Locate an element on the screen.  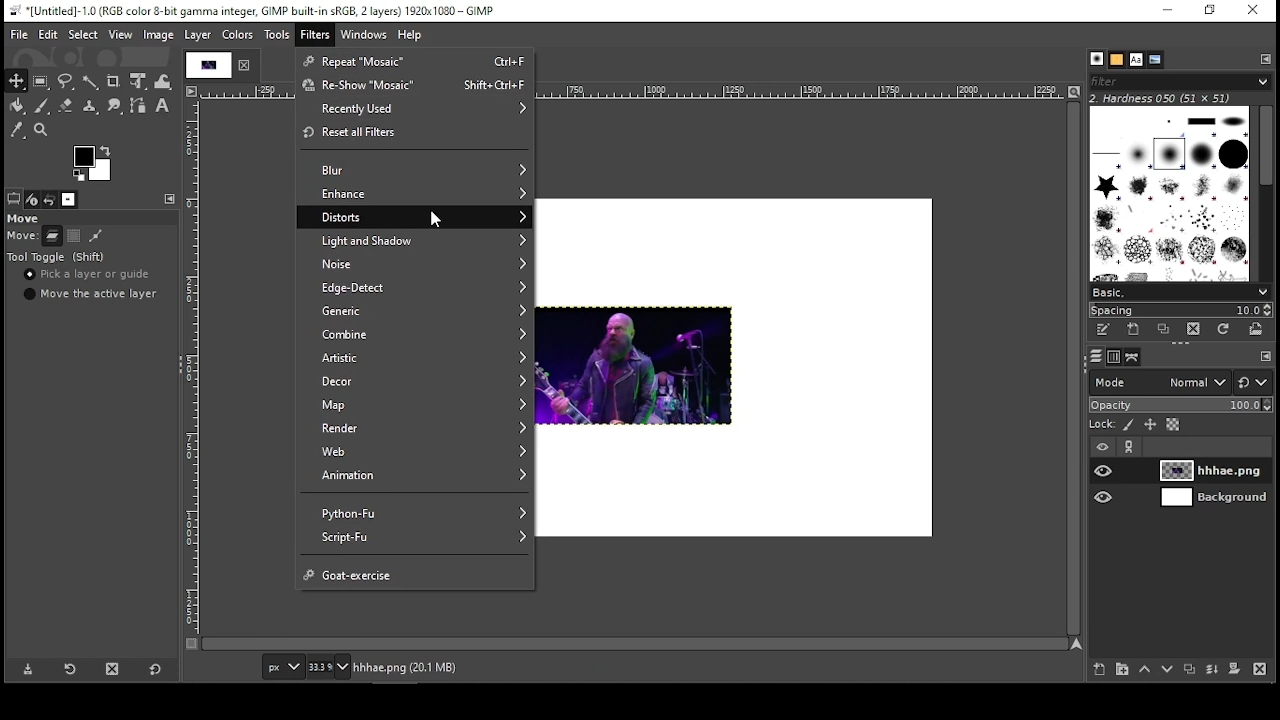
goat exercise is located at coordinates (418, 574).